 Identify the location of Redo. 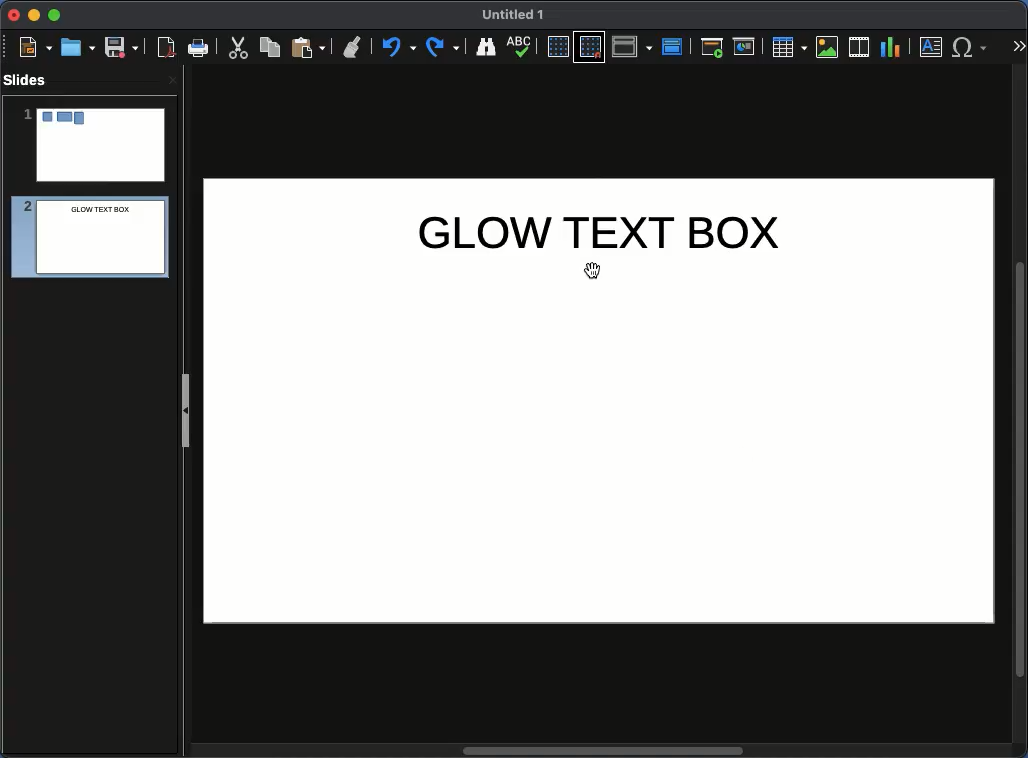
(444, 47).